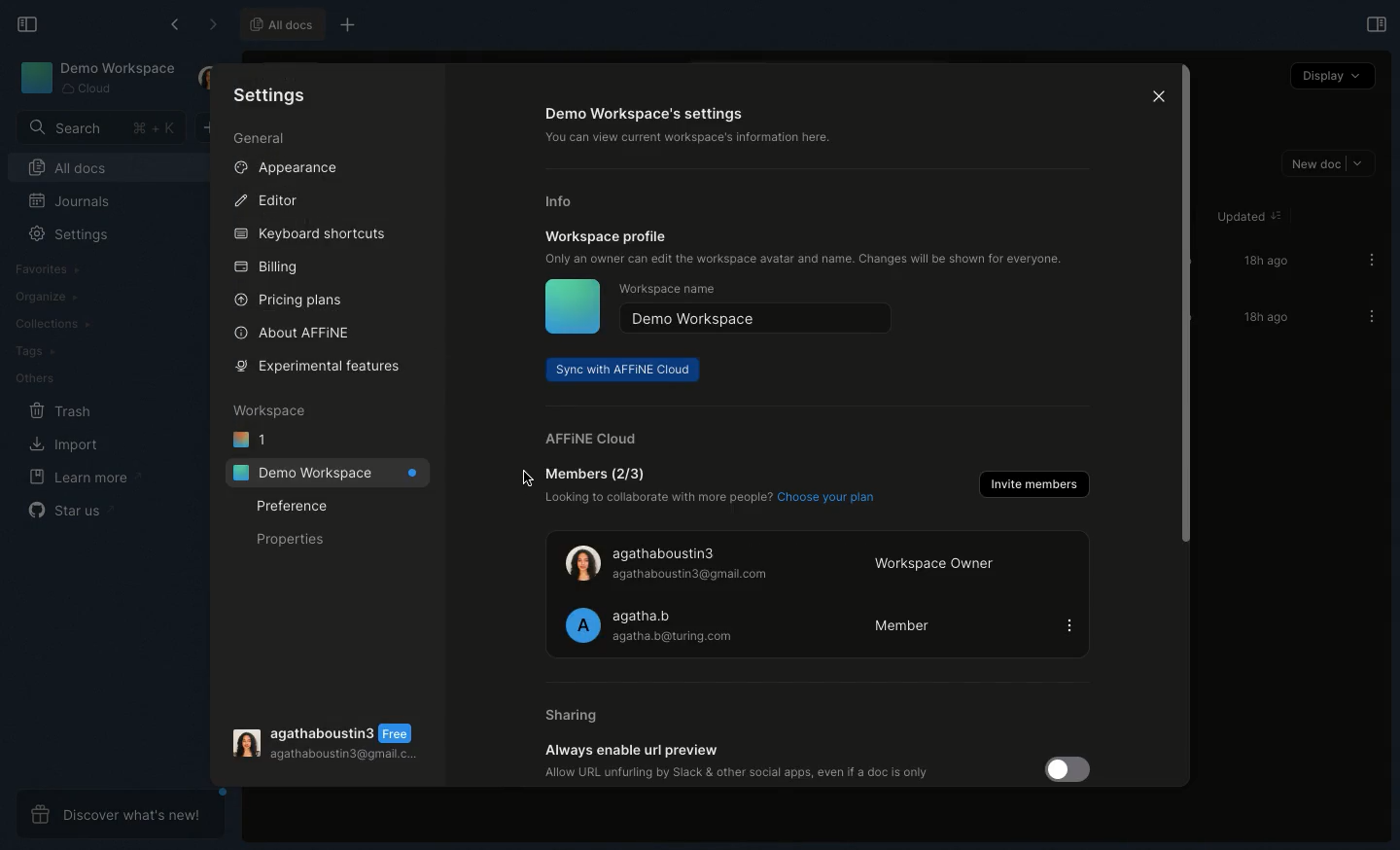 This screenshot has height=850, width=1400. Describe the element at coordinates (817, 556) in the screenshot. I see `Member 1` at that location.